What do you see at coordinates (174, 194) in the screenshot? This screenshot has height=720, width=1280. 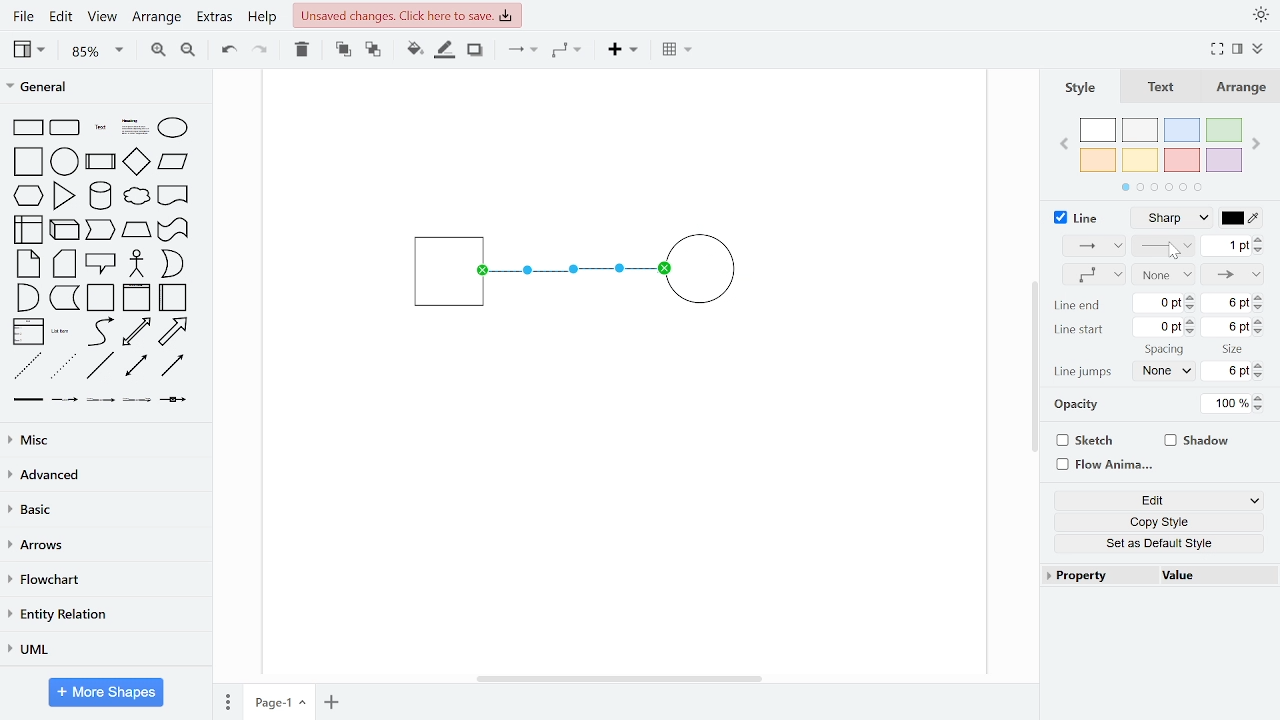 I see `document` at bounding box center [174, 194].